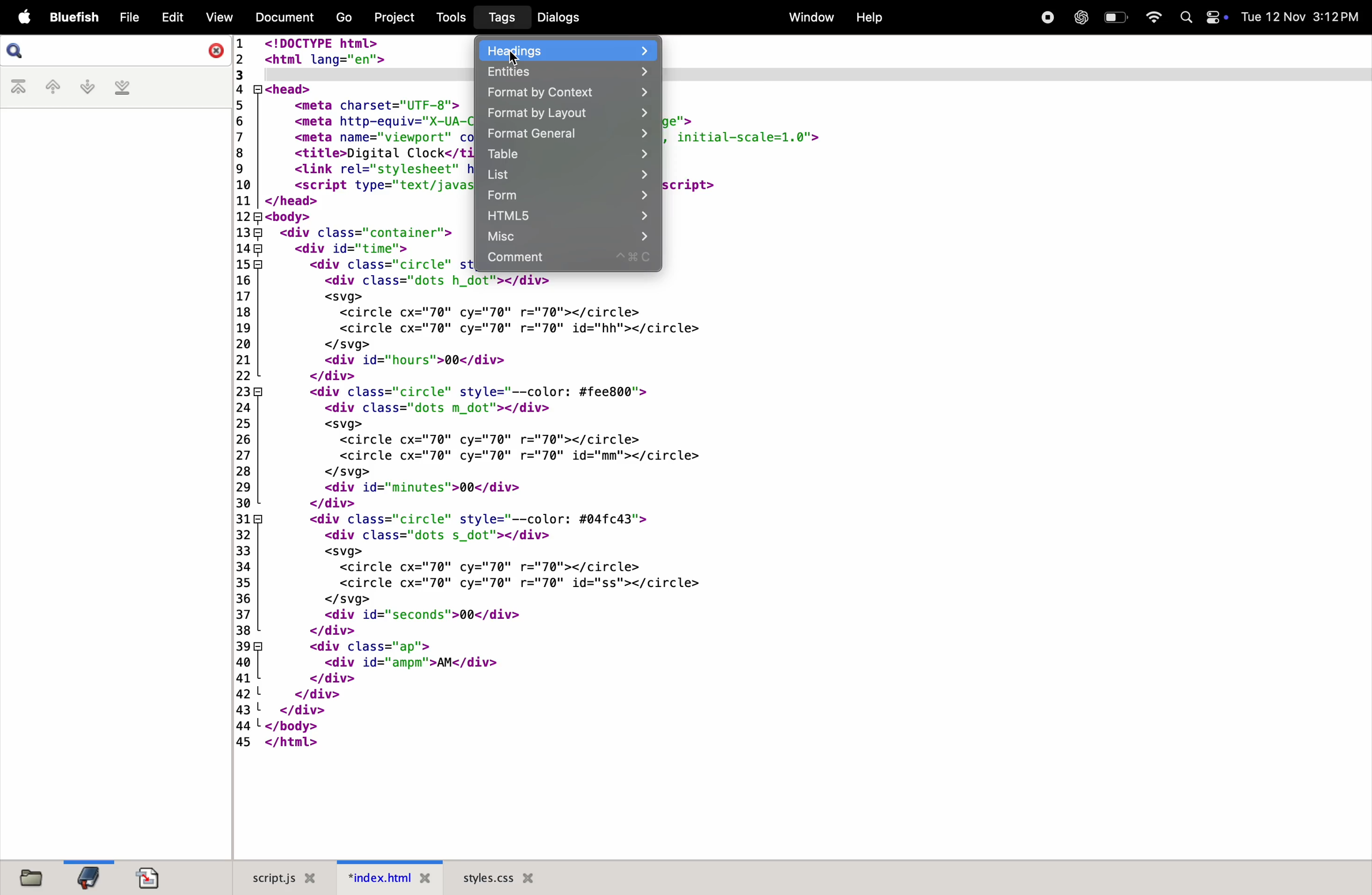 This screenshot has width=1372, height=895. Describe the element at coordinates (800, 566) in the screenshot. I see `code using html, css, javascript to build a digital clock. The code contains <head> that has a <title> <link> and <script type>. <Body> contains different <id> and <class>` at that location.